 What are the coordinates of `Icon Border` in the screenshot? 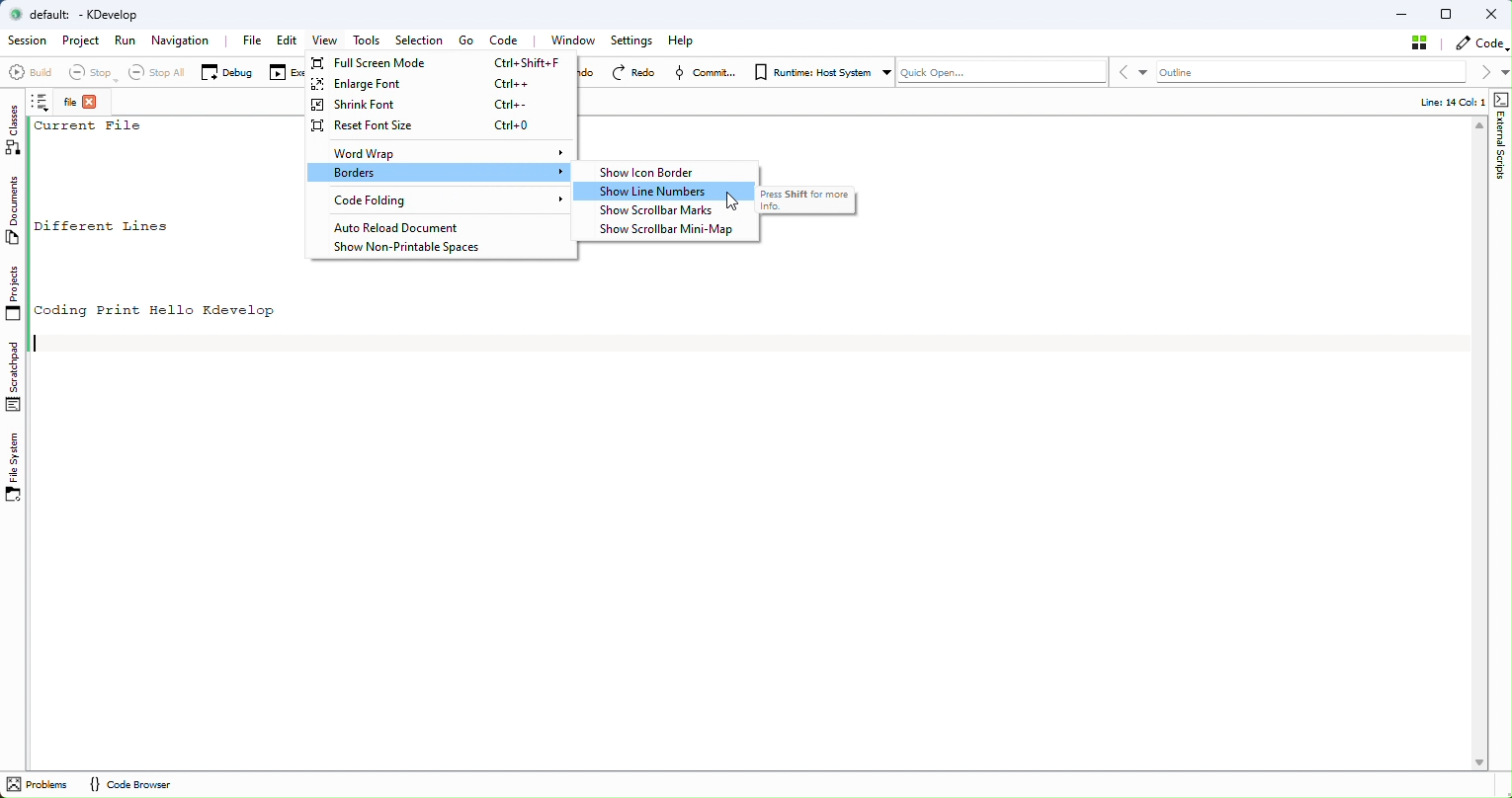 It's located at (662, 173).